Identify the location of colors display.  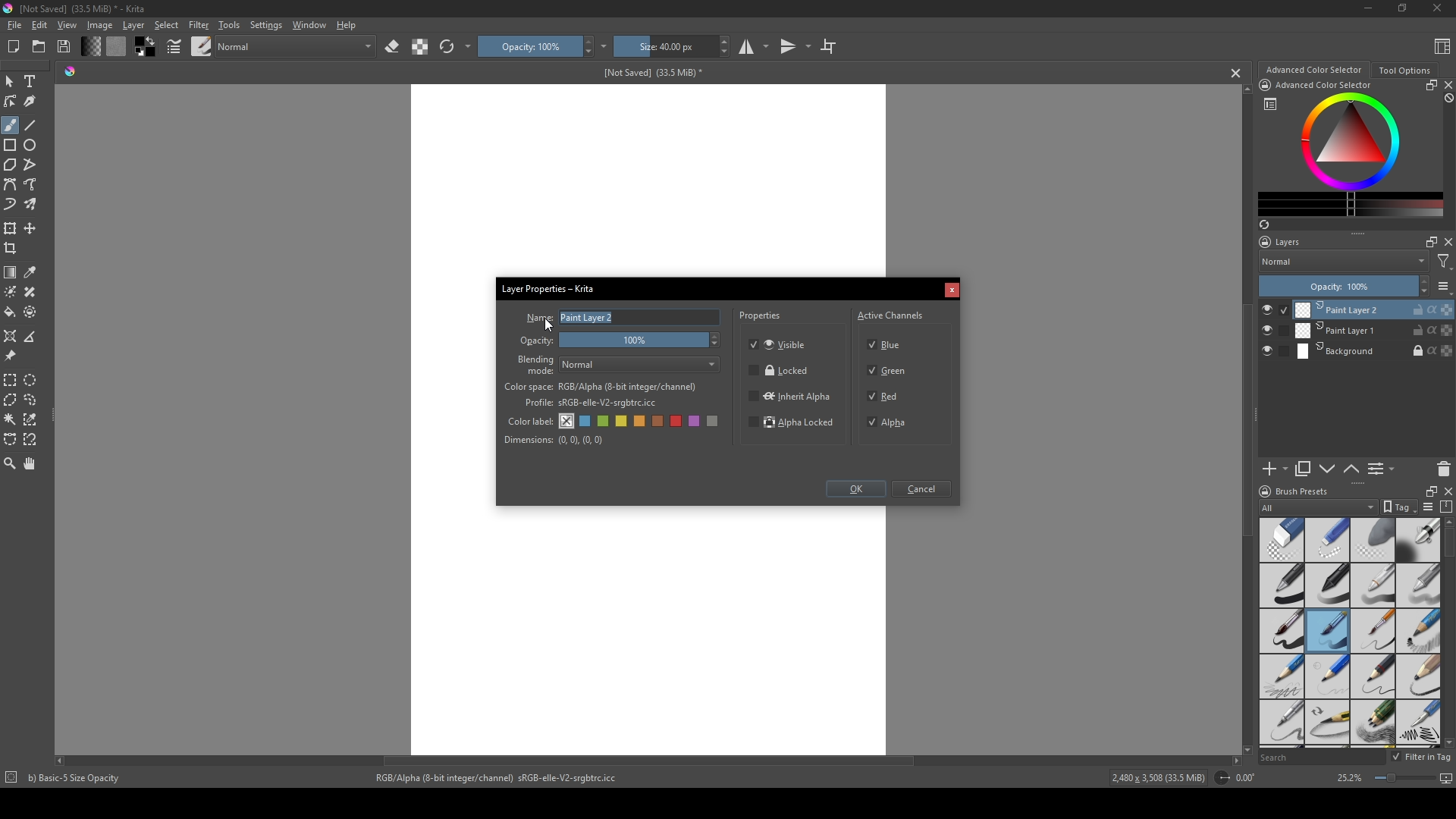
(1352, 142).